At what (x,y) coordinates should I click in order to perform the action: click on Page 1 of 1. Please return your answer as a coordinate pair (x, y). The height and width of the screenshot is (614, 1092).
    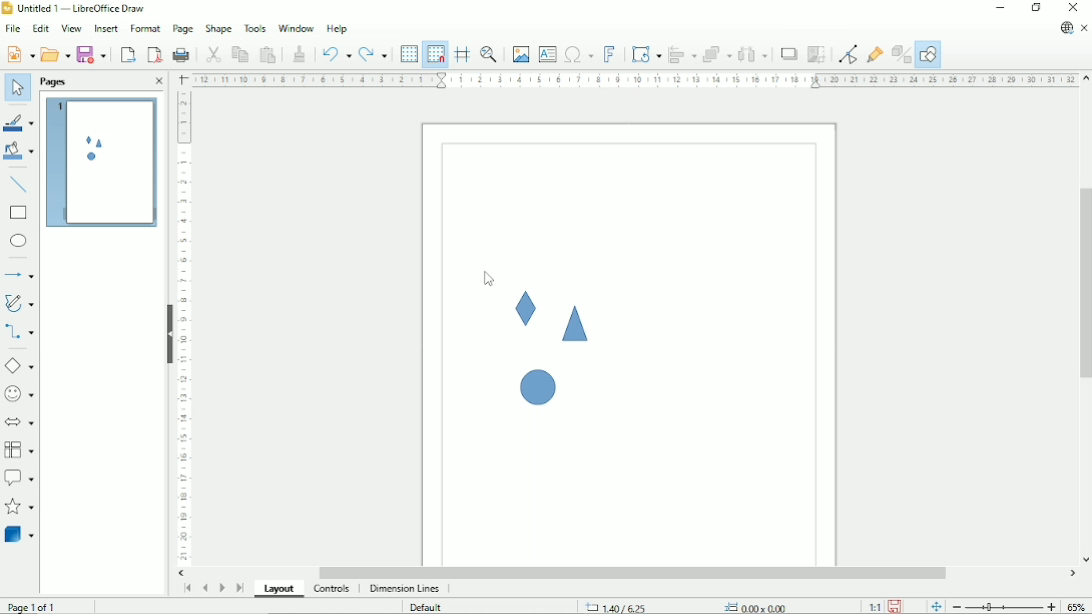
    Looking at the image, I should click on (32, 607).